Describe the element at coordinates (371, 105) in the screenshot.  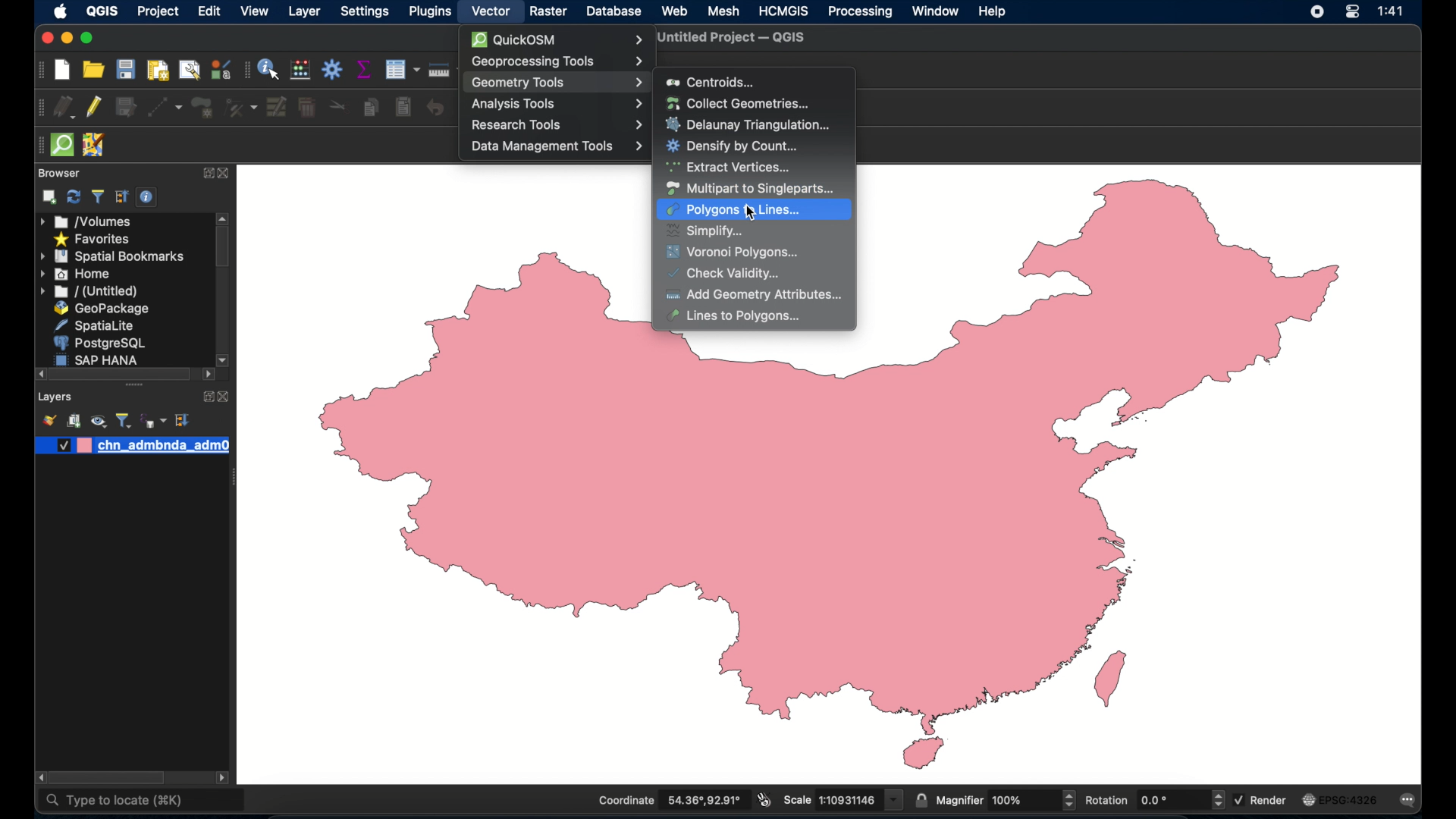
I see `copy features` at that location.